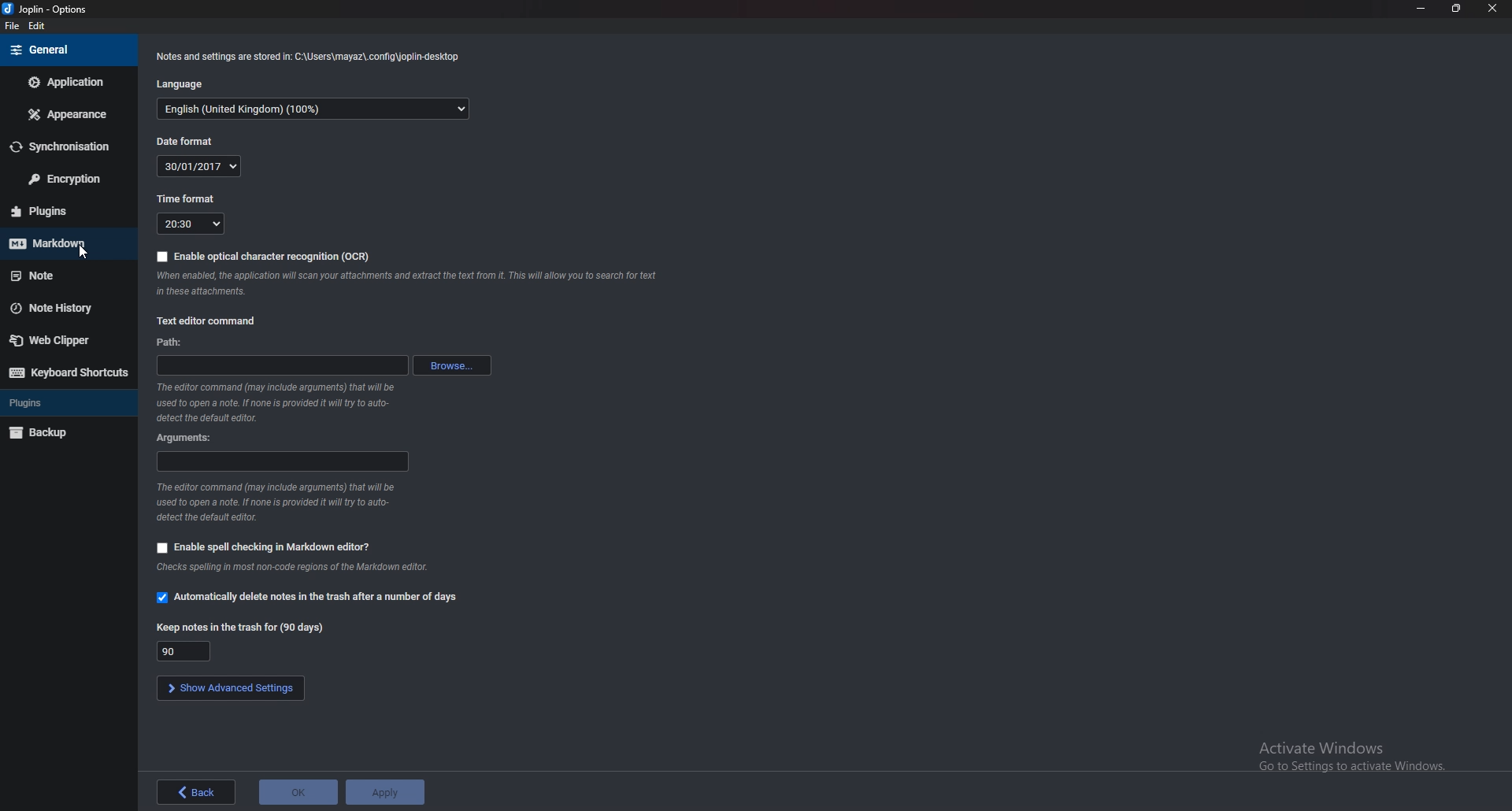  Describe the element at coordinates (66, 276) in the screenshot. I see `note` at that location.